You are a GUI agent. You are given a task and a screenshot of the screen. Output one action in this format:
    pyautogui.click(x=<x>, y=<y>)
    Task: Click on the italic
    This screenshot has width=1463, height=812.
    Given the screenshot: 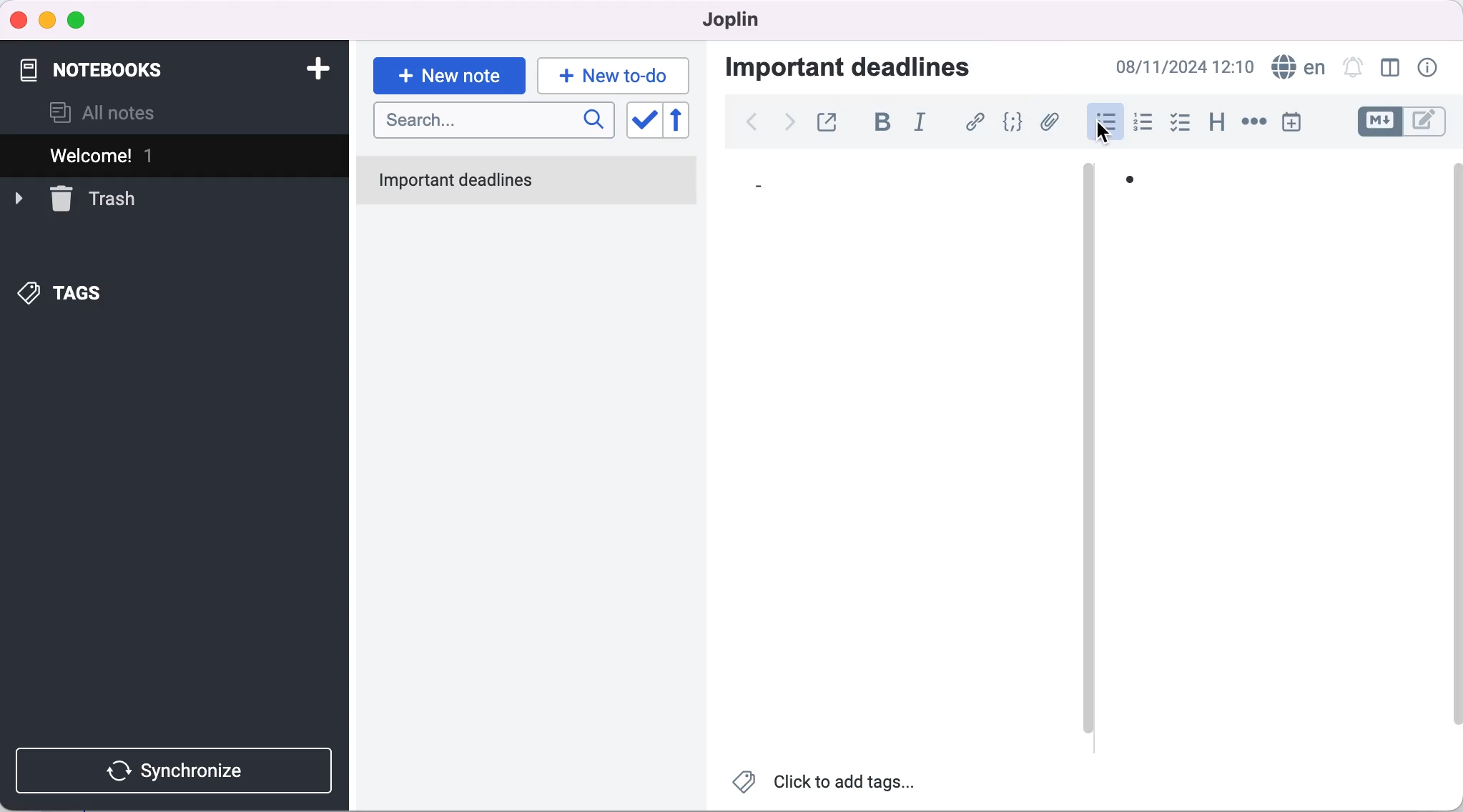 What is the action you would take?
    pyautogui.click(x=919, y=124)
    